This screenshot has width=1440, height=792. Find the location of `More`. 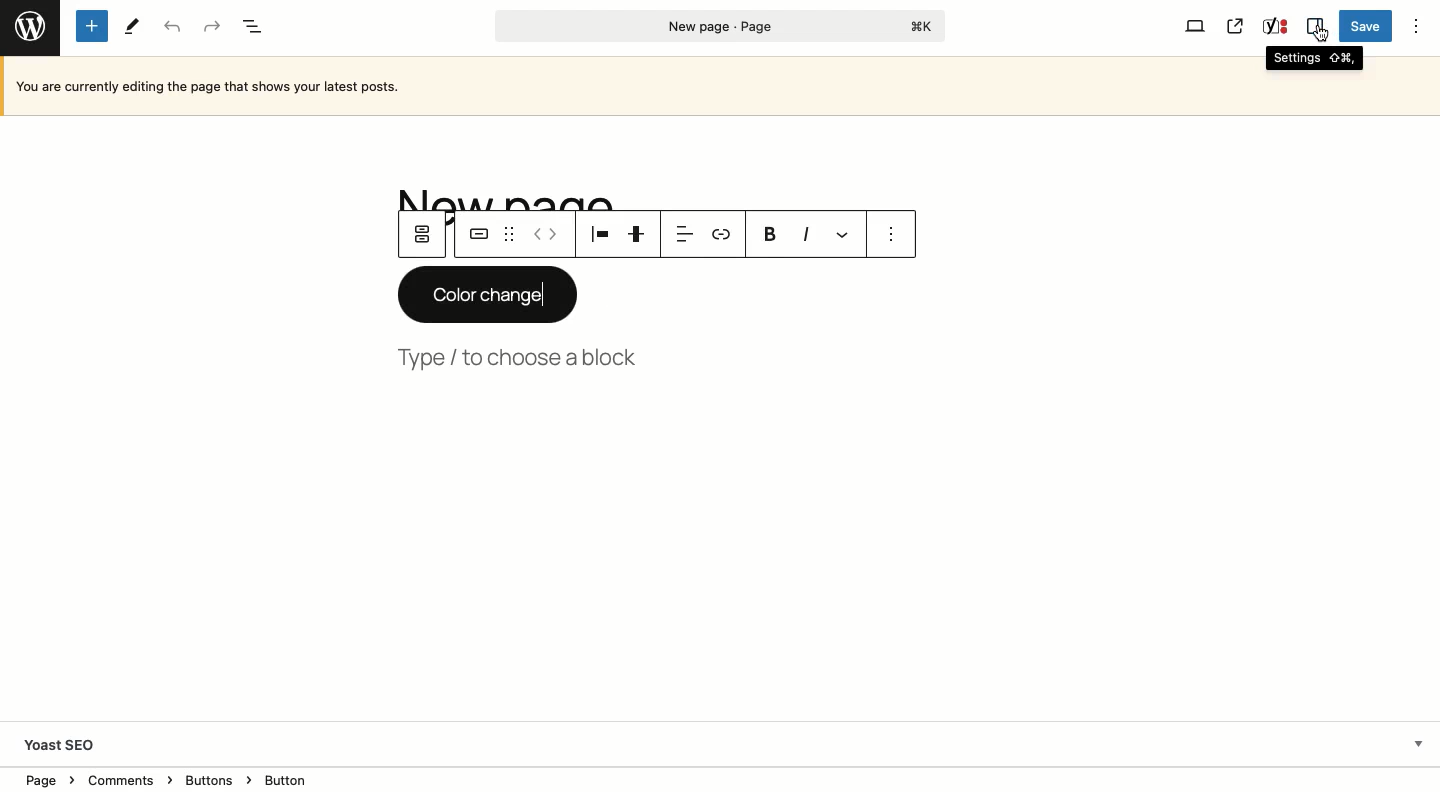

More is located at coordinates (845, 234).